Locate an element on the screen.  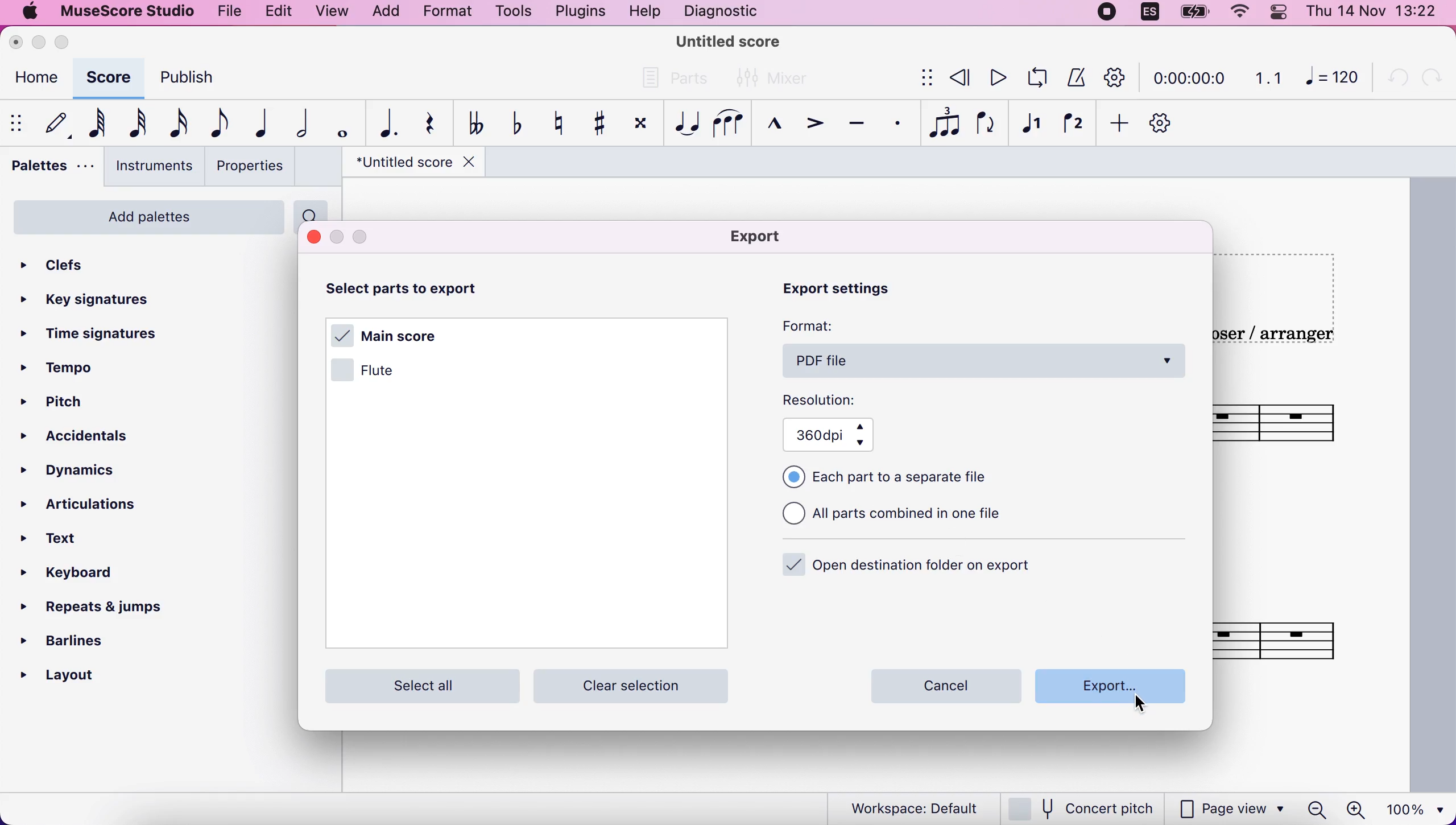
customization tool is located at coordinates (1111, 77).